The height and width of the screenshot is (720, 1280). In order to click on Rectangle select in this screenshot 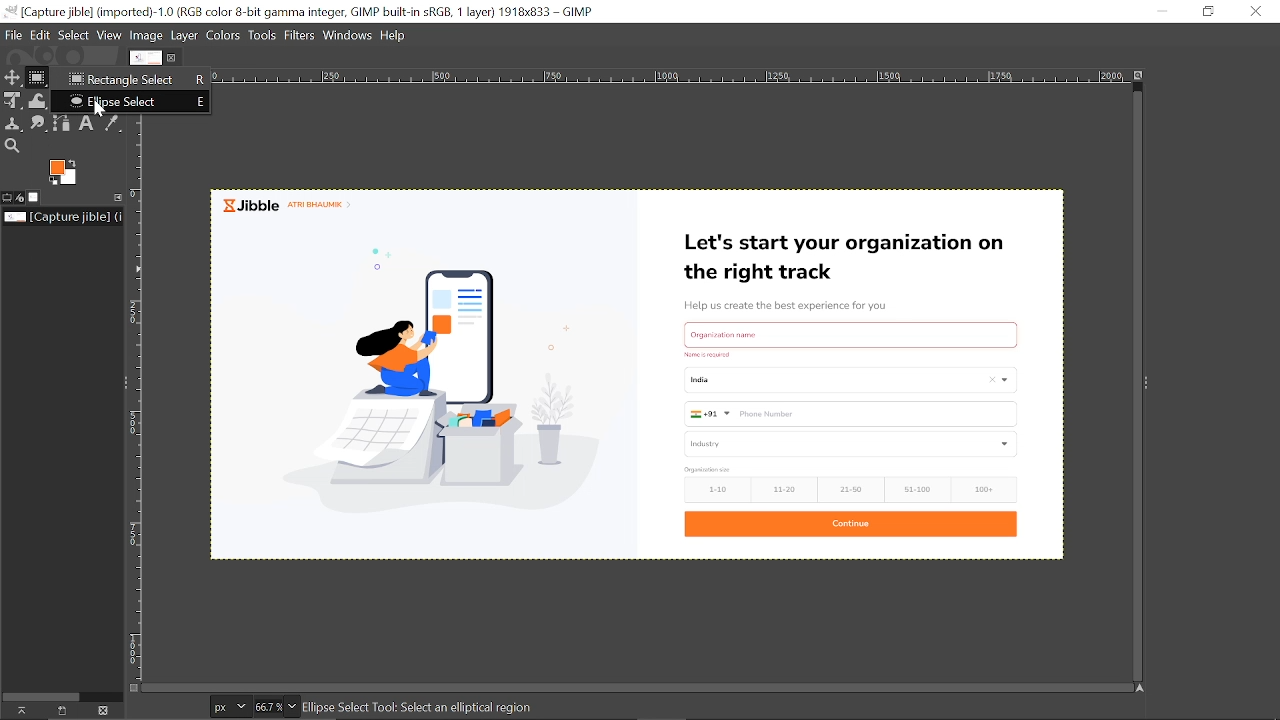, I will do `click(132, 79)`.